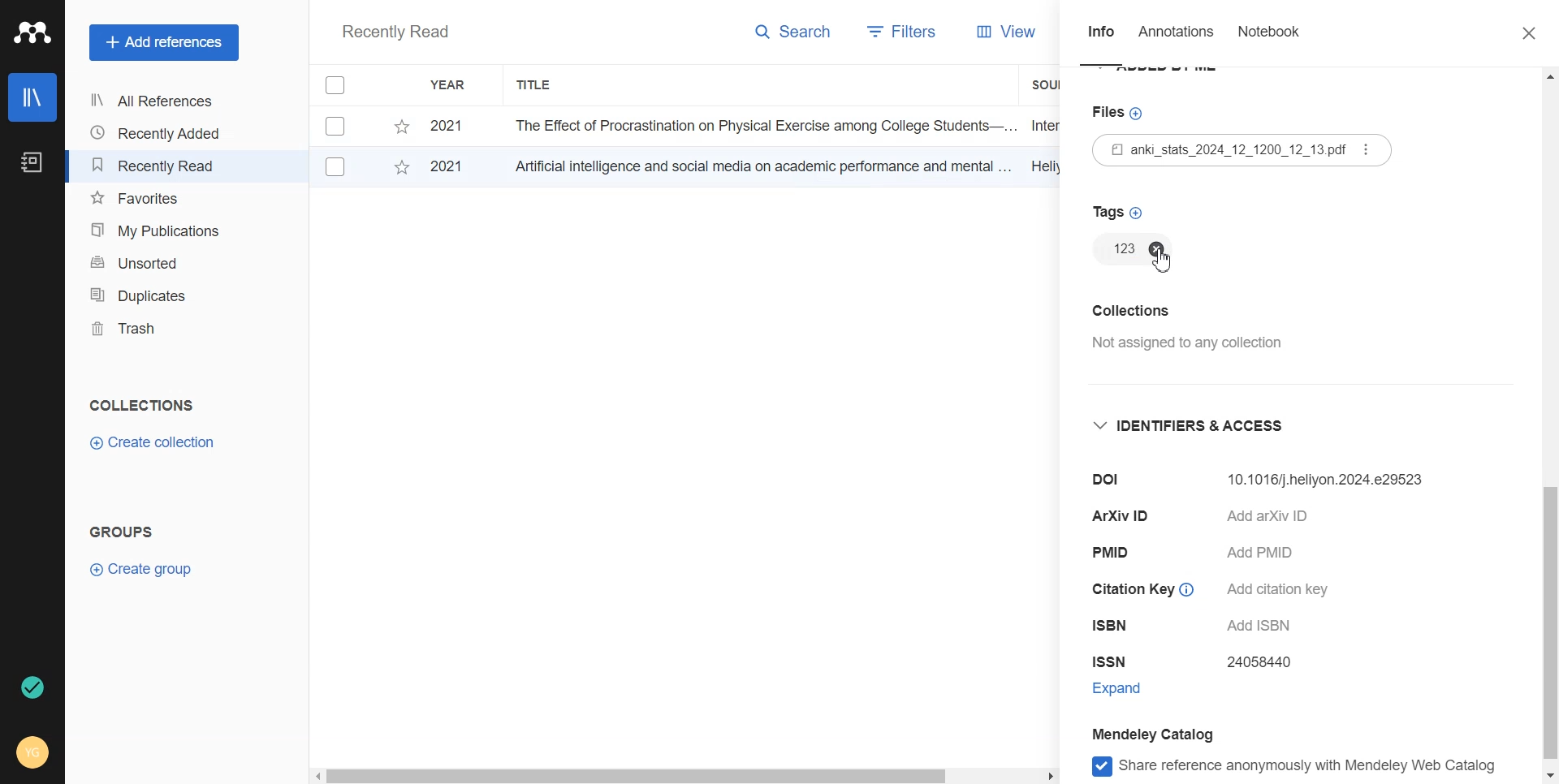 The width and height of the screenshot is (1559, 784). What do you see at coordinates (158, 166) in the screenshot?
I see `Recently Read` at bounding box center [158, 166].